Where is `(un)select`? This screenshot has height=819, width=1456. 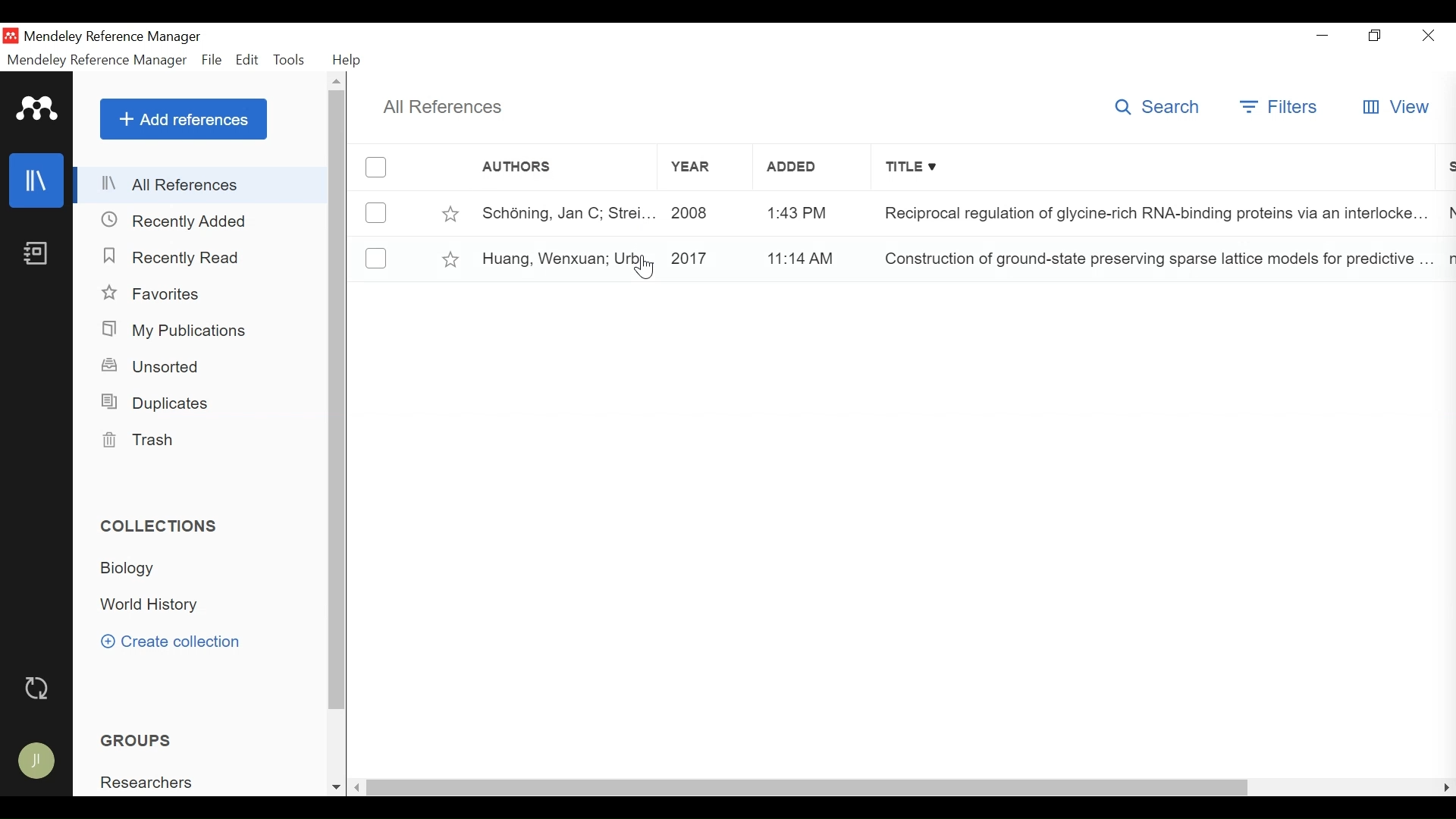 (un)select is located at coordinates (376, 213).